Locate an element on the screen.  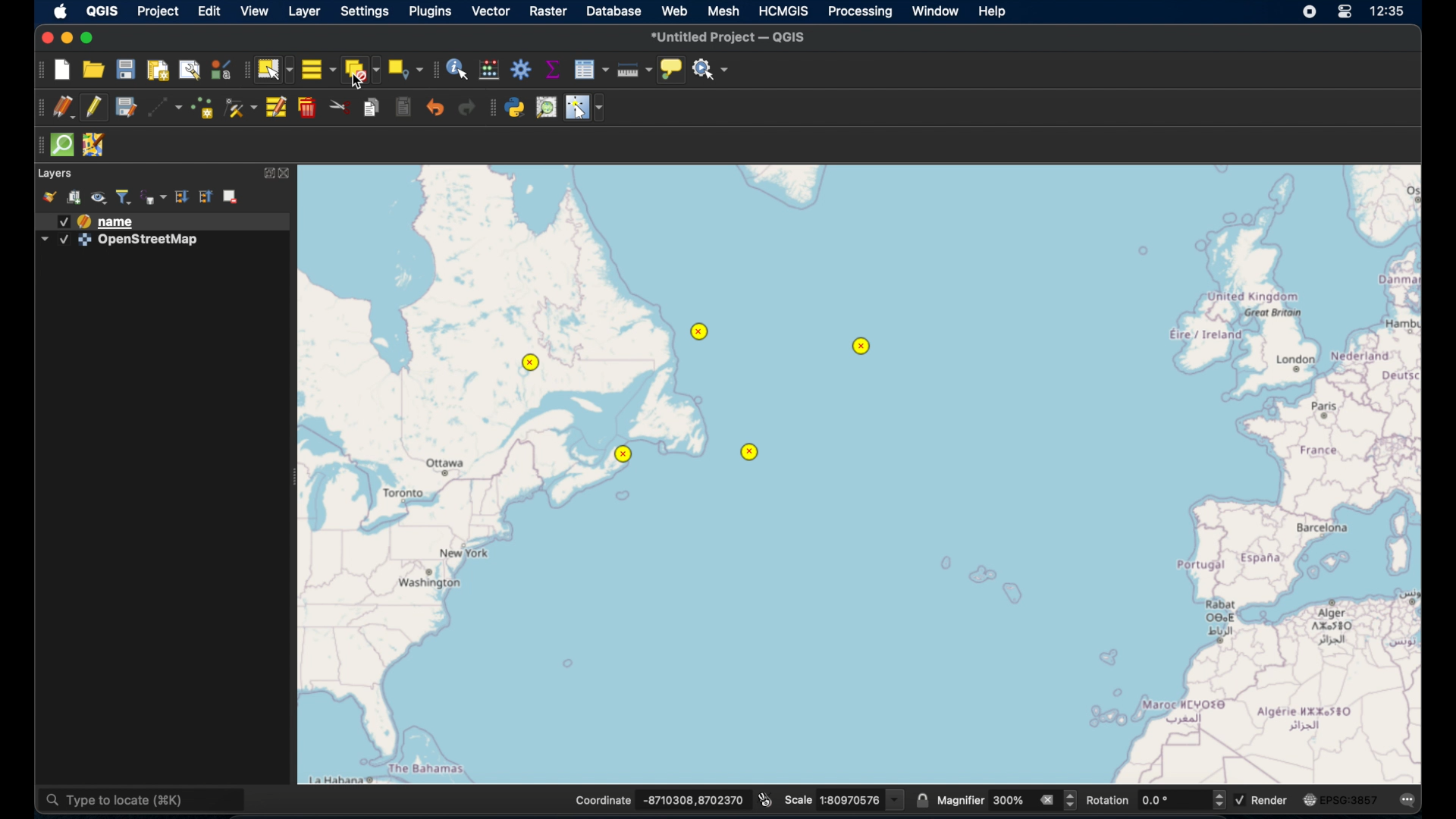
rotation value is located at coordinates (1174, 801).